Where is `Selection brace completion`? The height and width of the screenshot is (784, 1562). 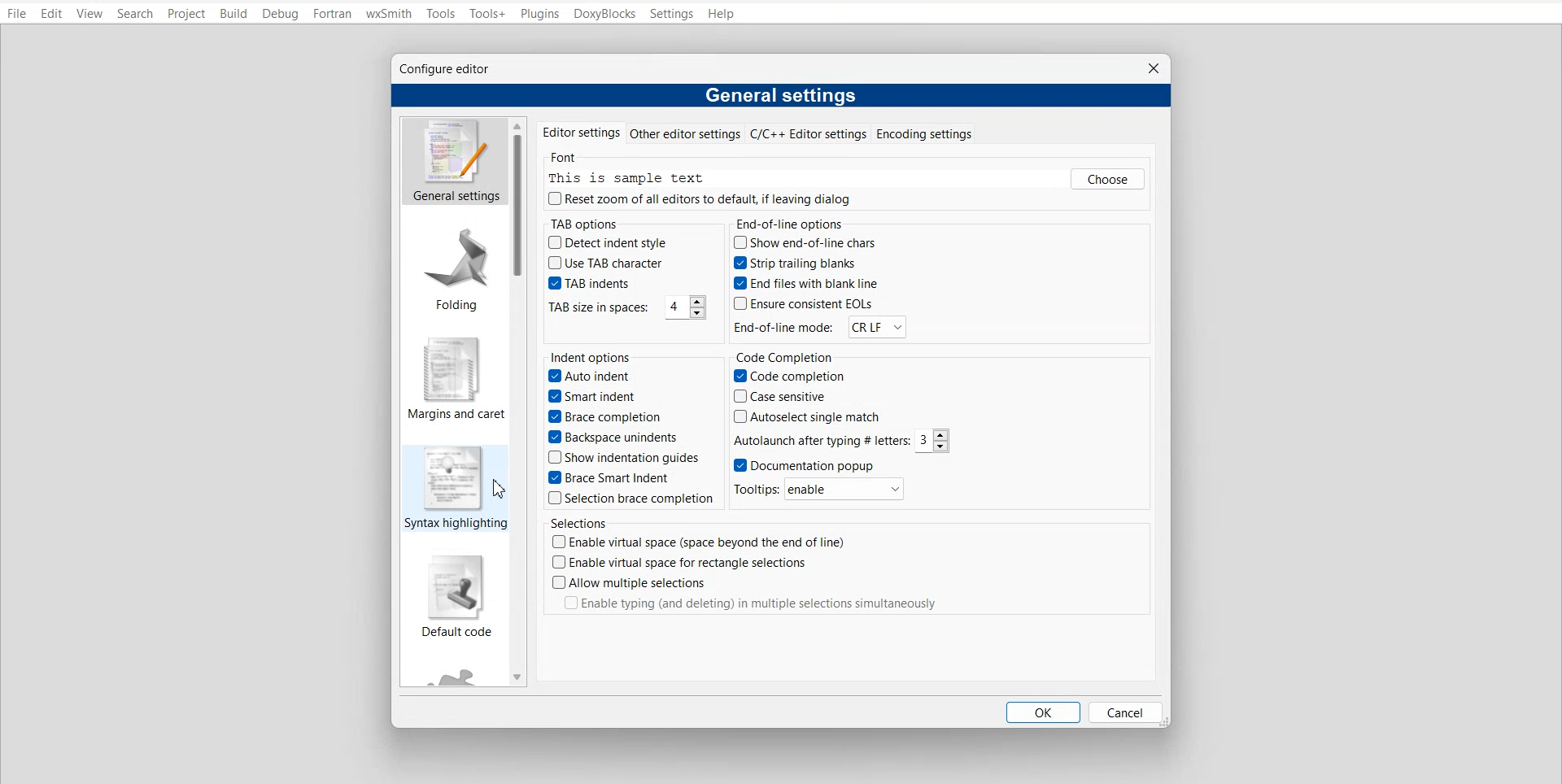
Selection brace completion is located at coordinates (633, 499).